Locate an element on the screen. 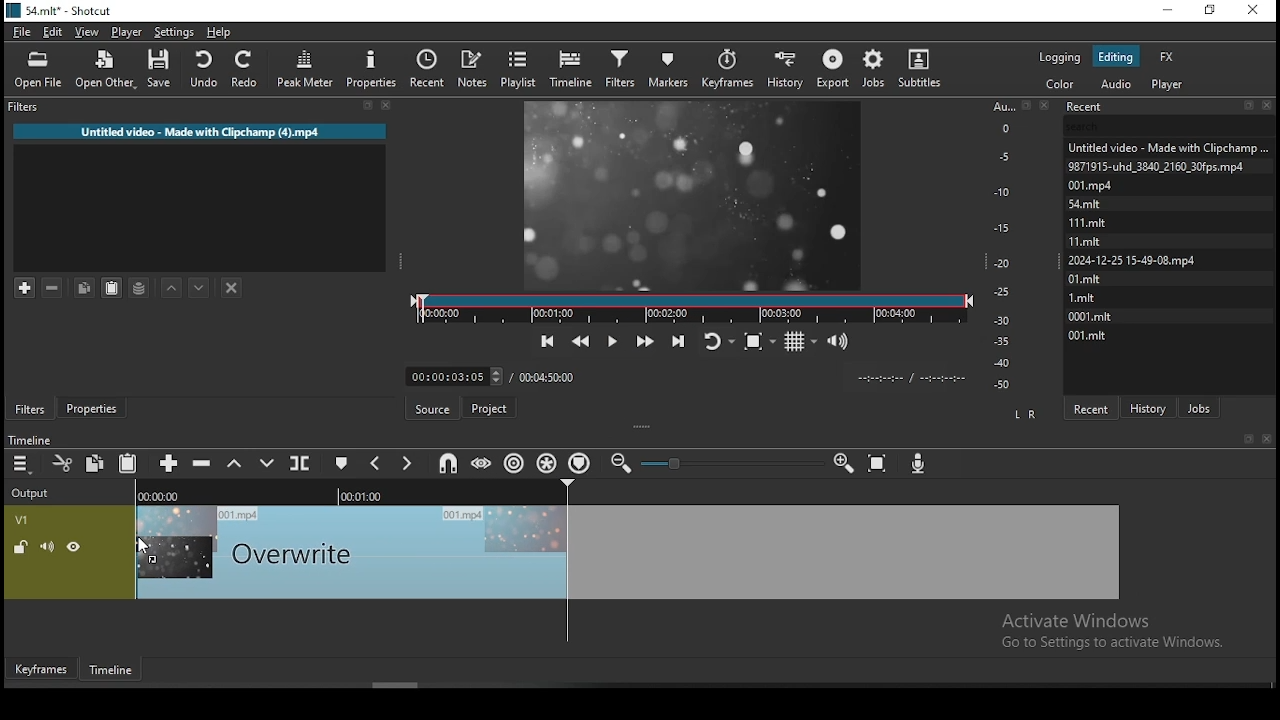 This screenshot has height=720, width=1280. history is located at coordinates (1151, 405).